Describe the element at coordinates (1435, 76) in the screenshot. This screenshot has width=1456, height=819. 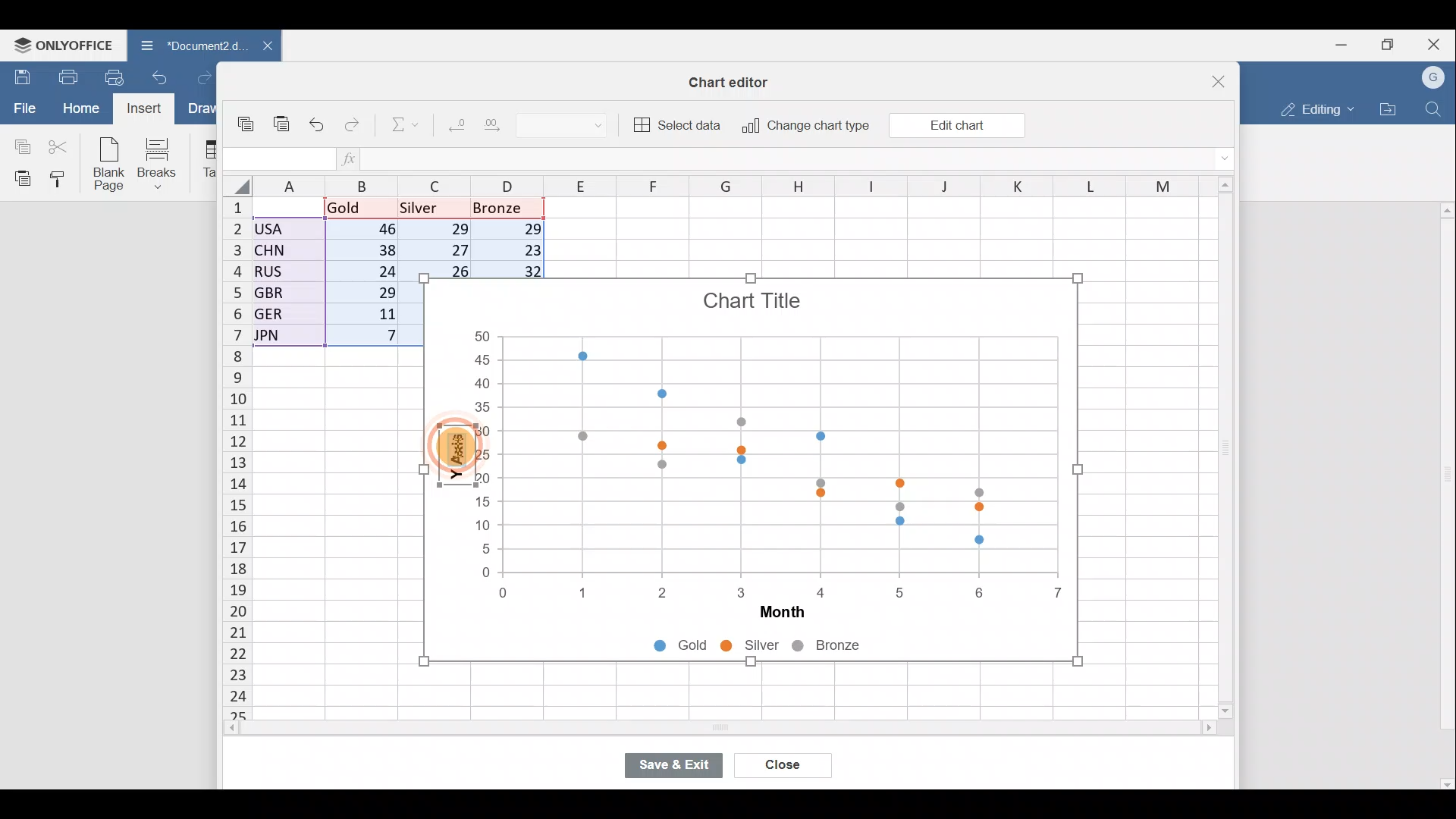
I see `Account name` at that location.